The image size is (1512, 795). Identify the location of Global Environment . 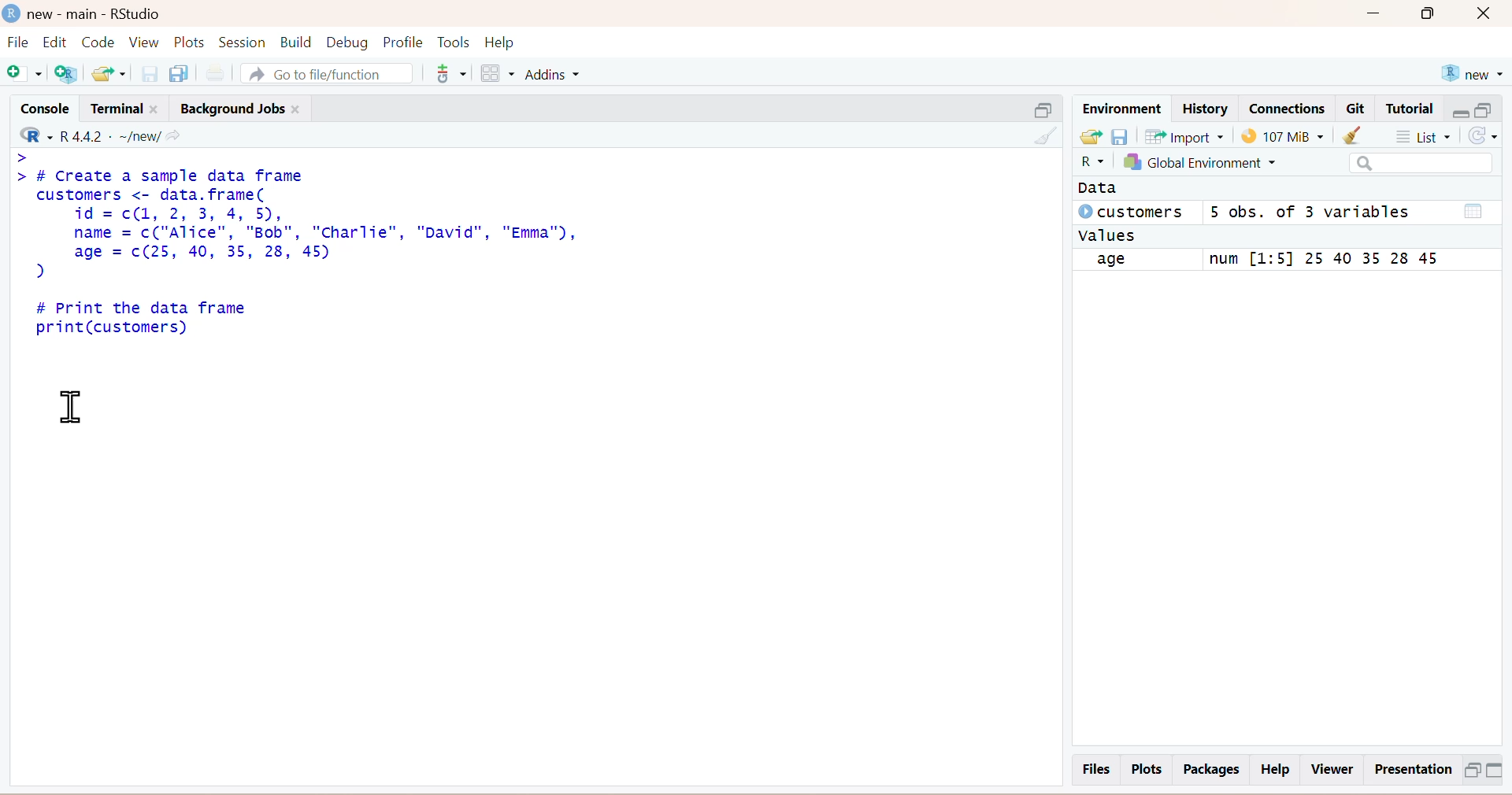
(1220, 165).